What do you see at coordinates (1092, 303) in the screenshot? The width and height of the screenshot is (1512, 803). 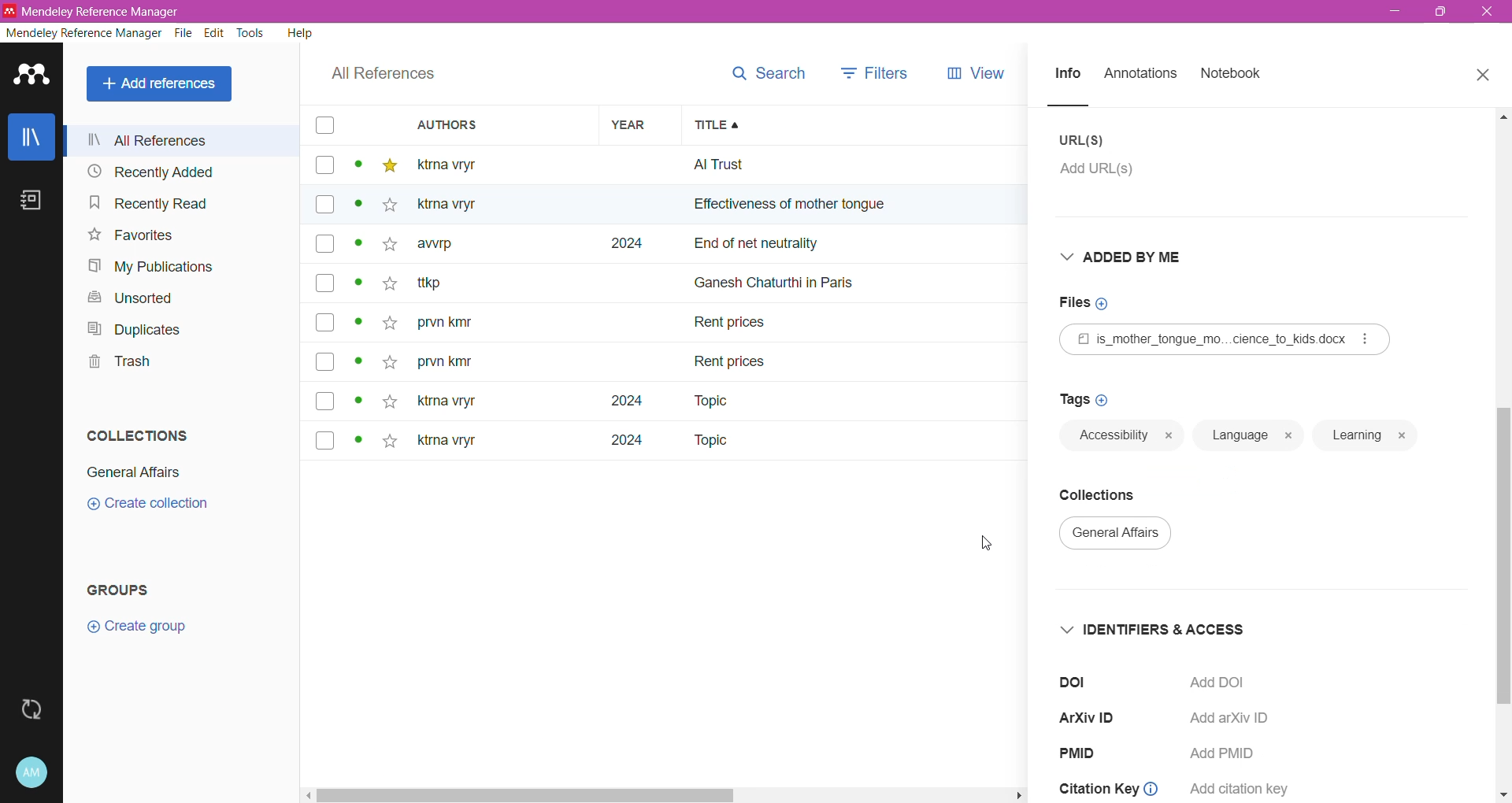 I see `Click to add Files` at bounding box center [1092, 303].